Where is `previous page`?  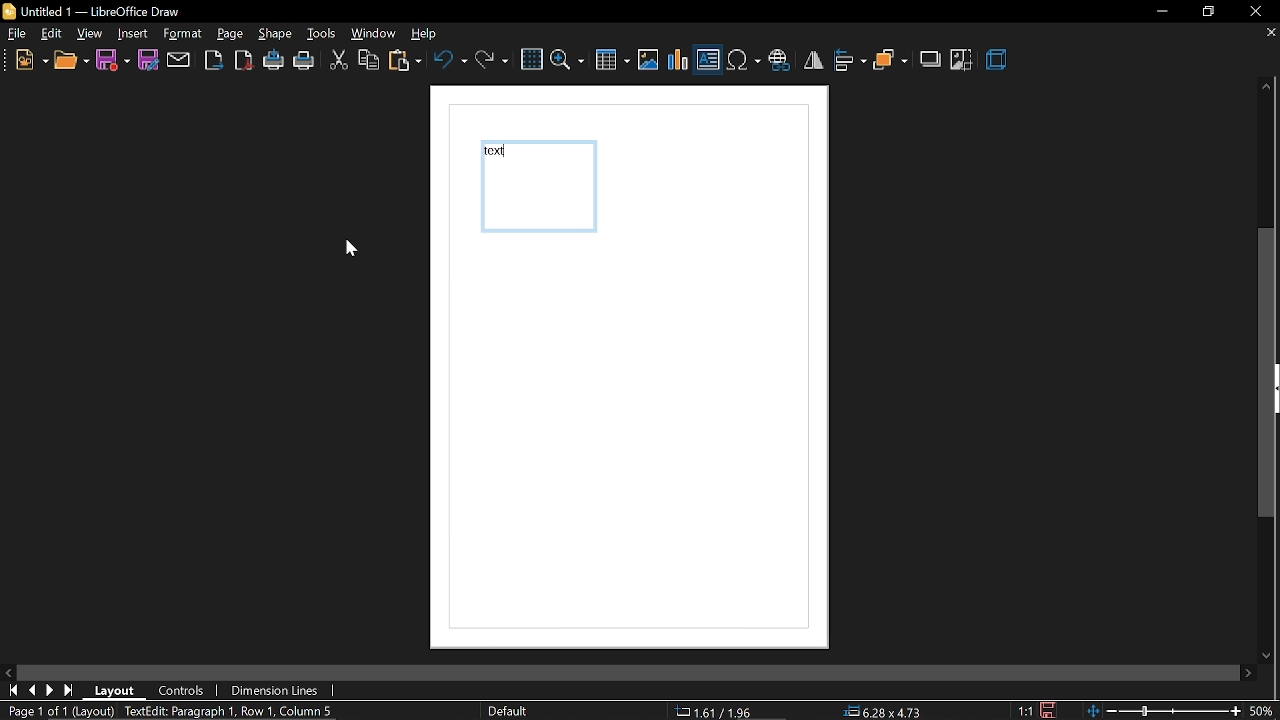
previous page is located at coordinates (35, 692).